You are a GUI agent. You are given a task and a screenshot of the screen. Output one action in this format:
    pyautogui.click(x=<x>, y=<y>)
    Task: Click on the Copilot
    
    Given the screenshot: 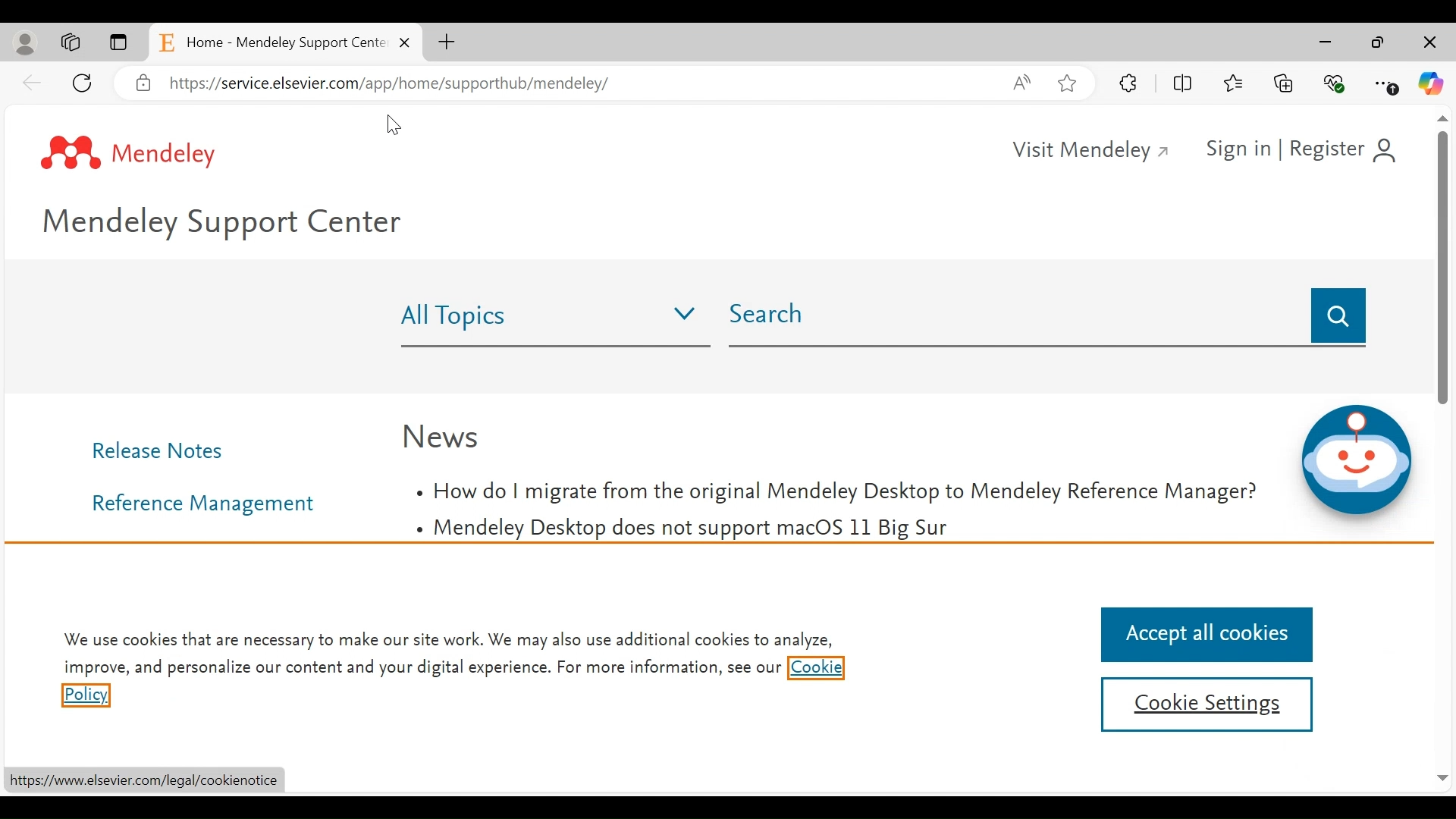 What is the action you would take?
    pyautogui.click(x=1431, y=84)
    